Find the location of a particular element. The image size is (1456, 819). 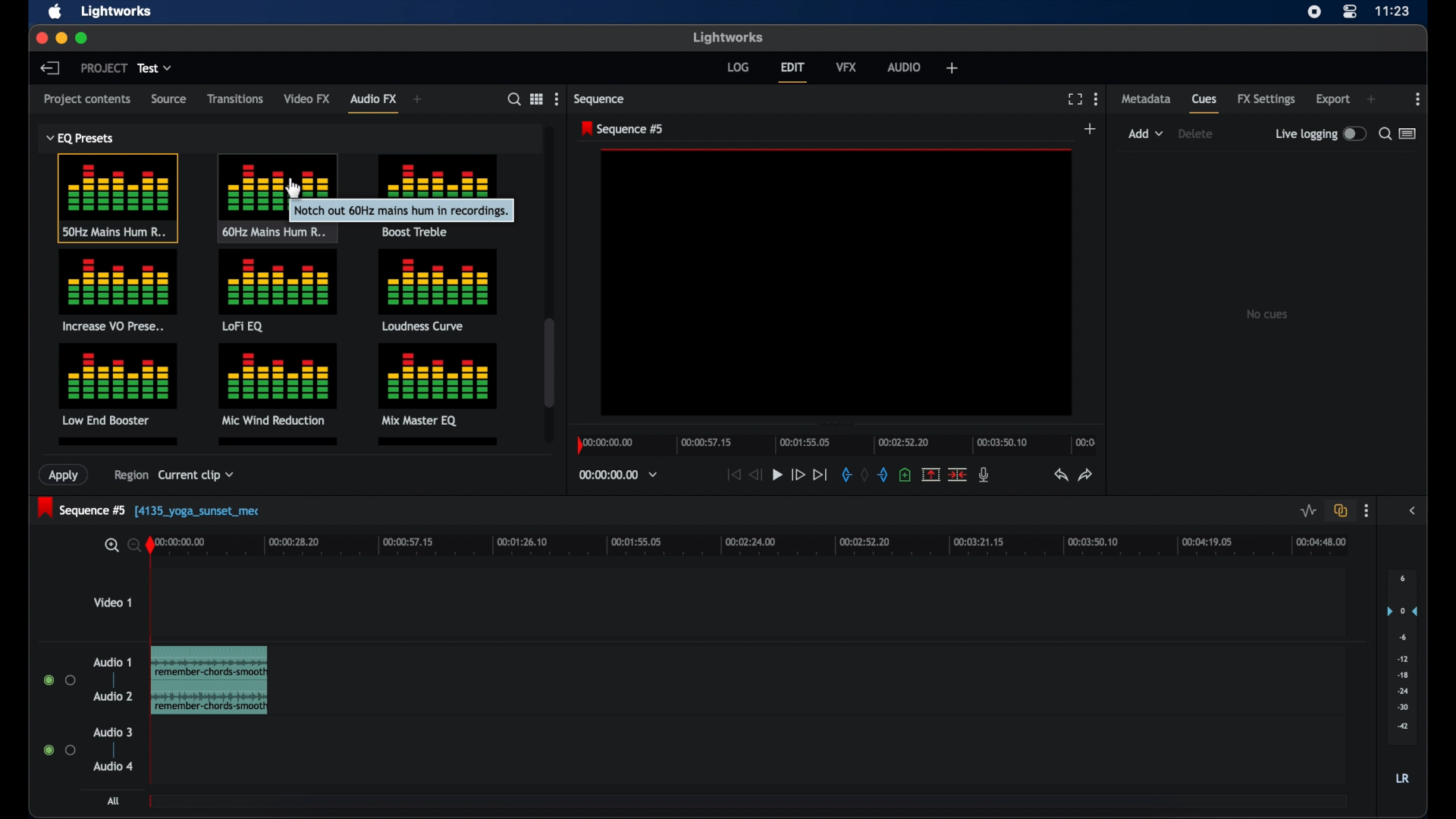

lightworks is located at coordinates (726, 36).